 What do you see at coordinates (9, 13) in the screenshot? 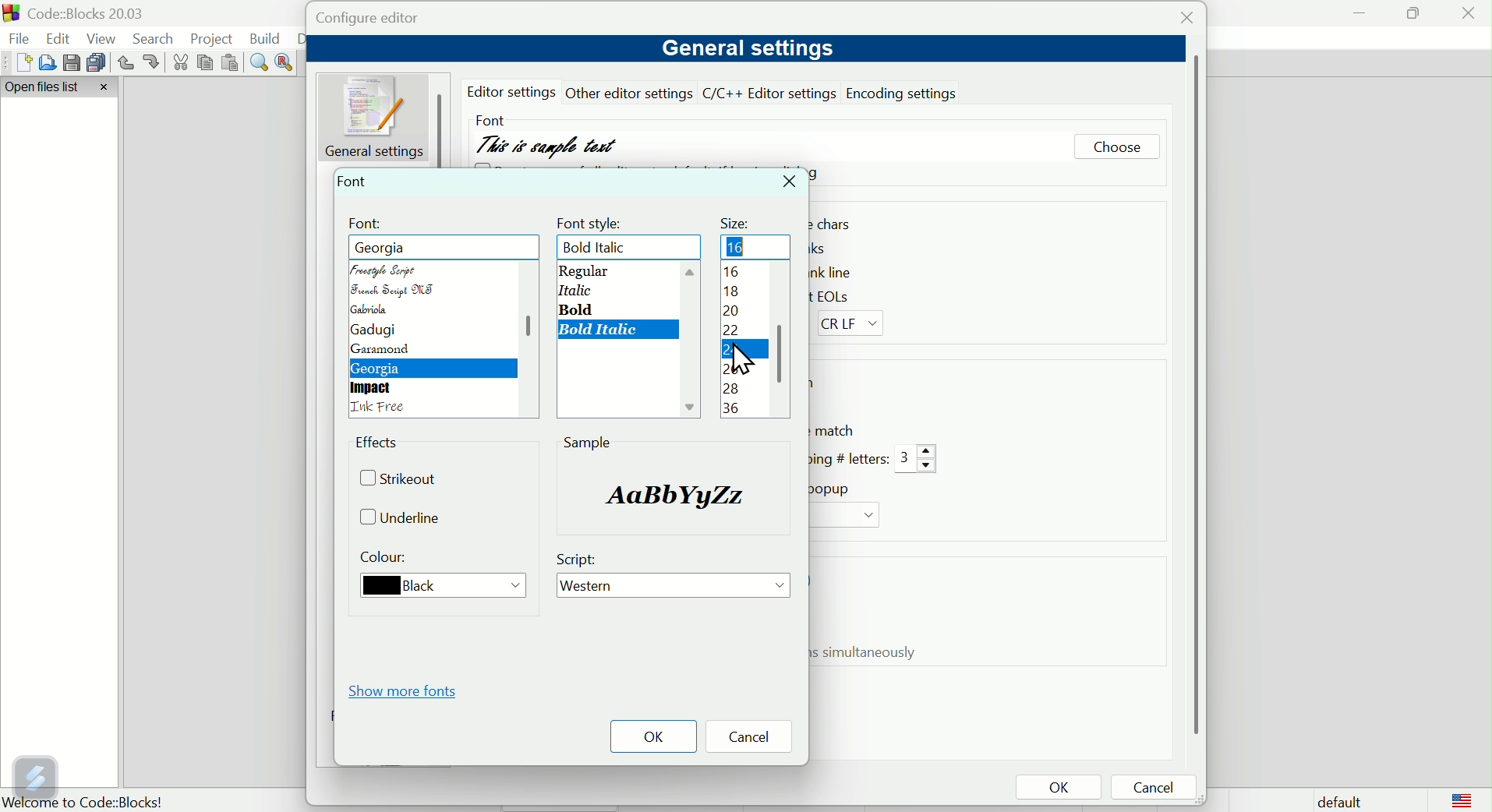
I see `app logo` at bounding box center [9, 13].